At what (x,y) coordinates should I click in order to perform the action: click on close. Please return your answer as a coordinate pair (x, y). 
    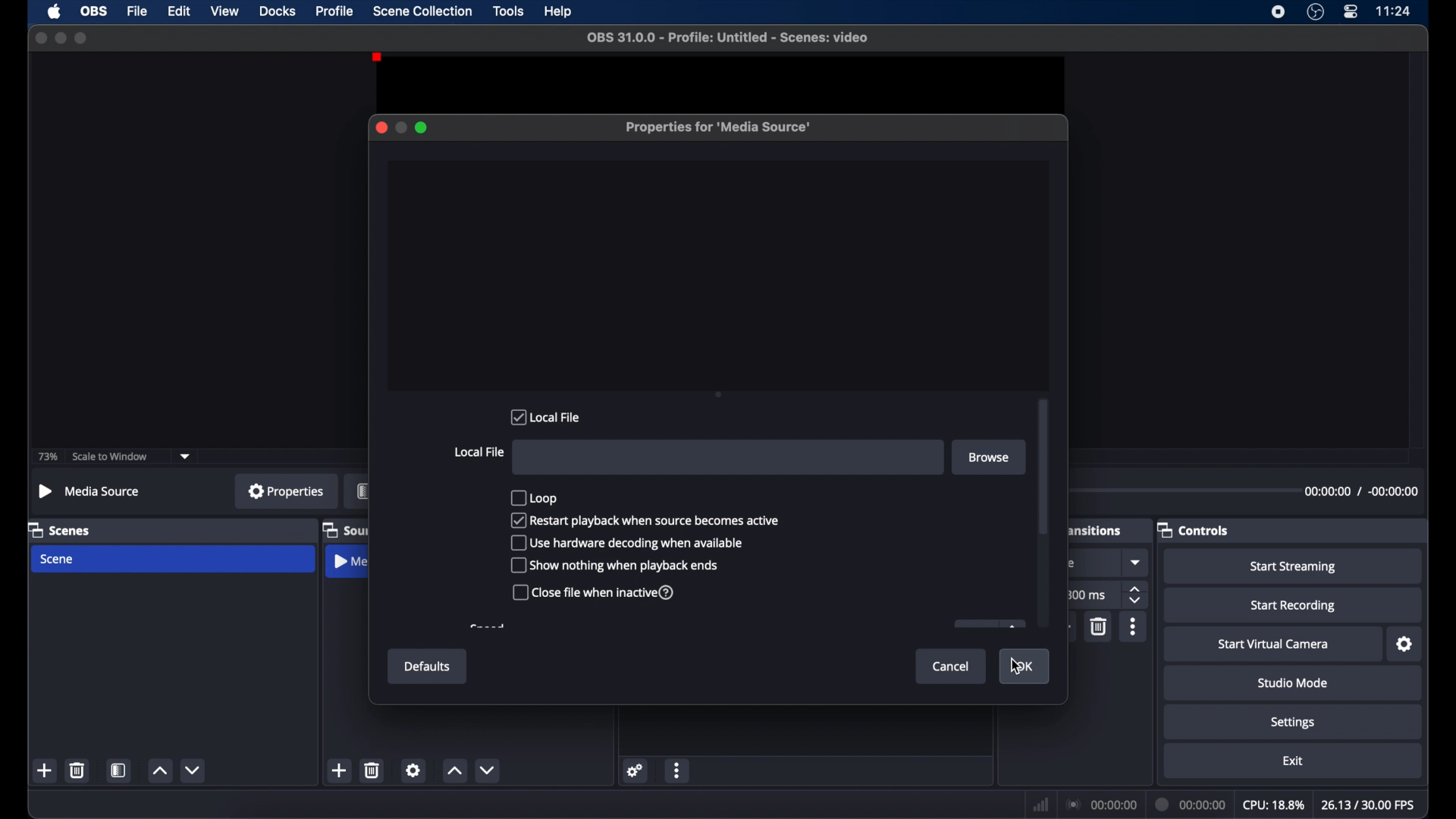
    Looking at the image, I should click on (40, 38).